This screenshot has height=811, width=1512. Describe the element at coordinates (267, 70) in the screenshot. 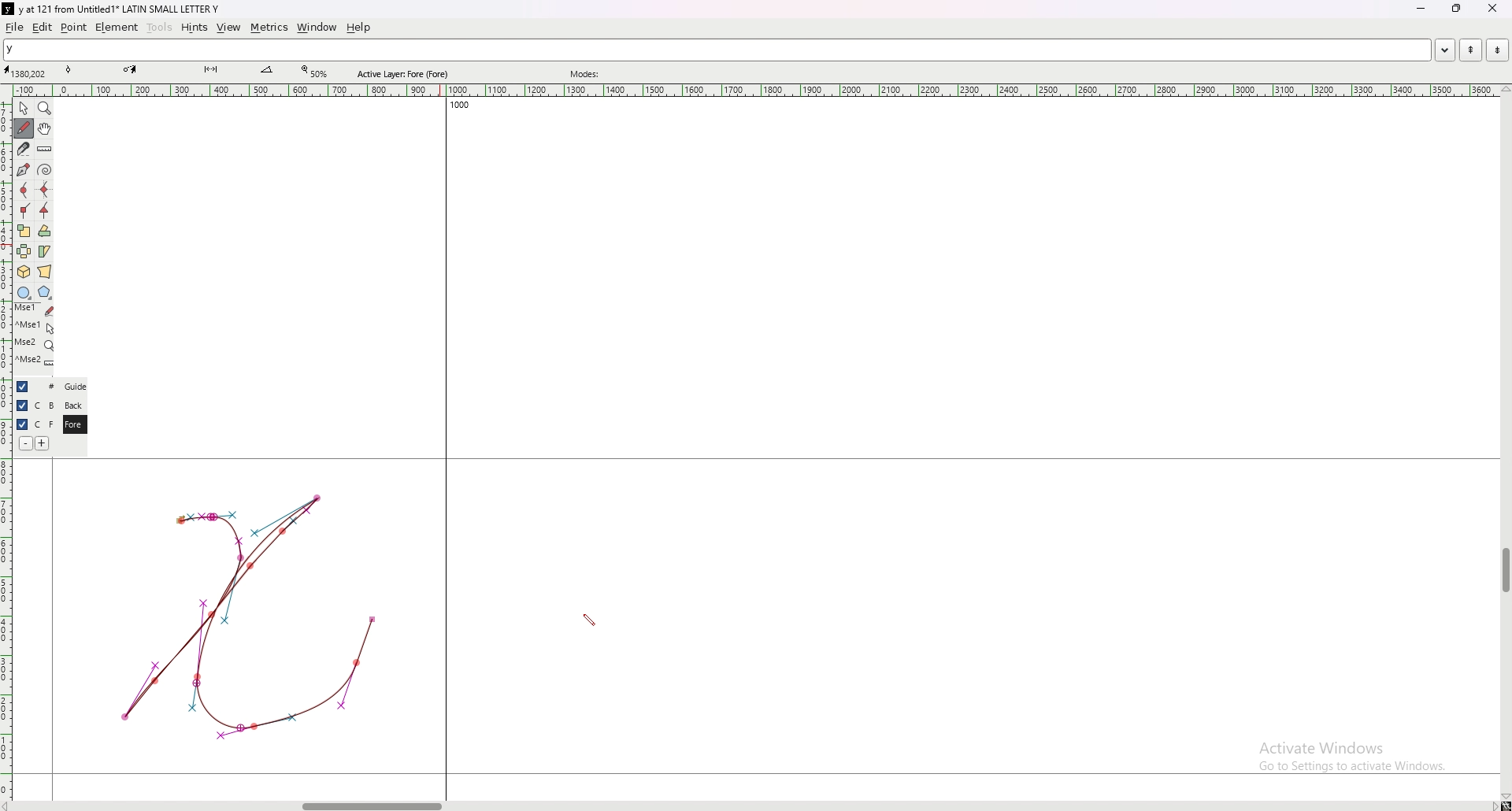

I see `measurement tool` at that location.